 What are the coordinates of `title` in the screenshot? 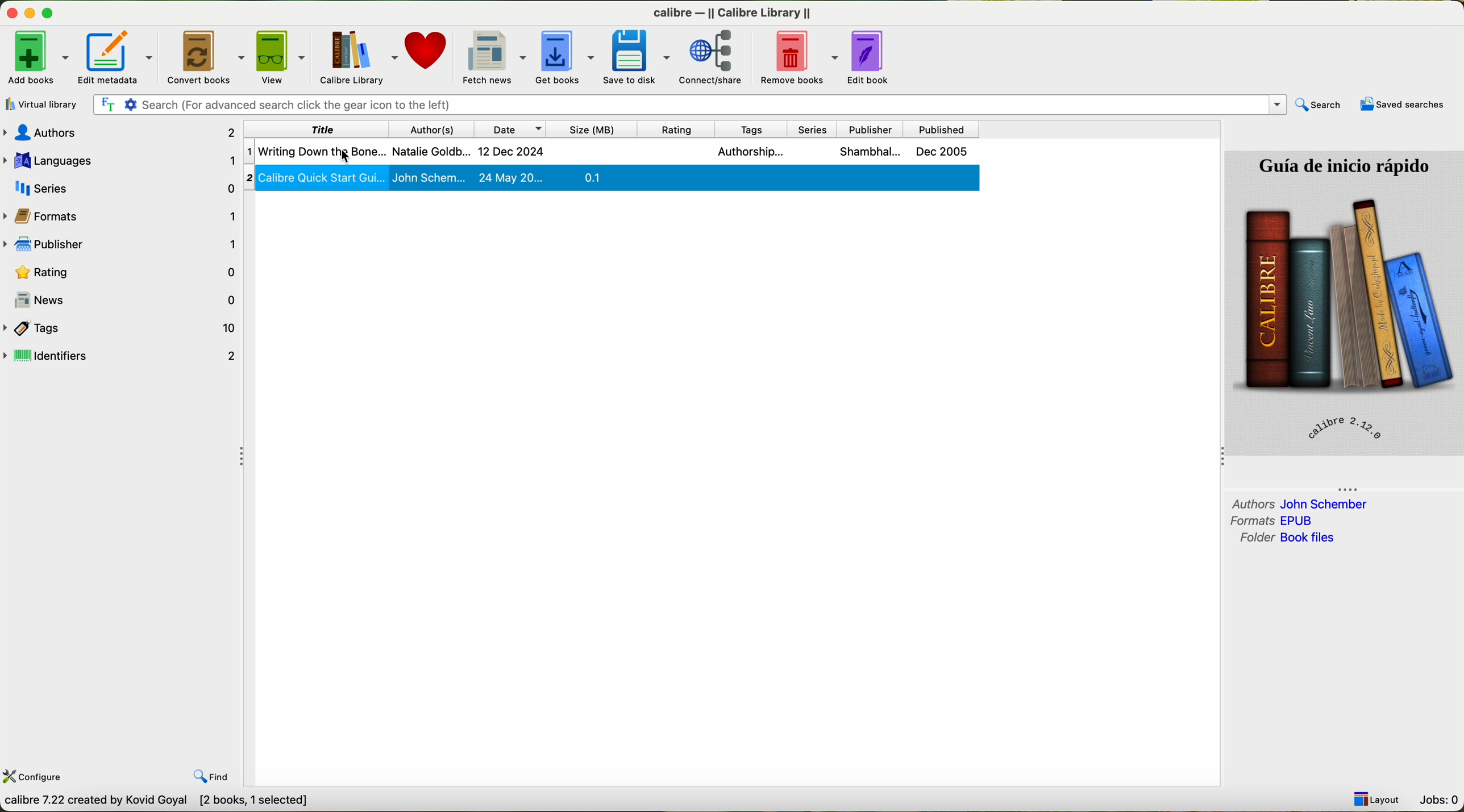 It's located at (343, 129).